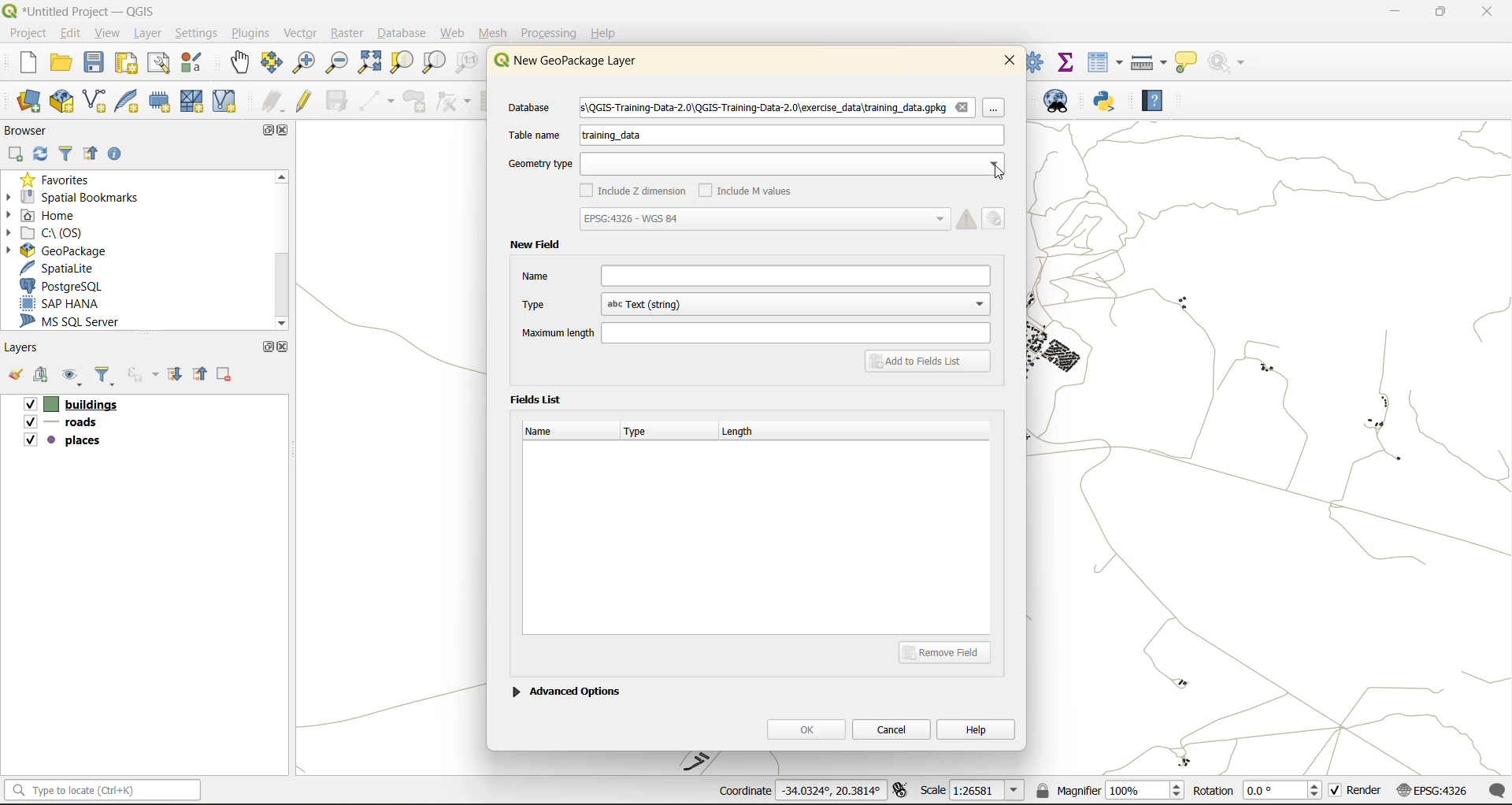  What do you see at coordinates (754, 163) in the screenshot?
I see `geometry type` at bounding box center [754, 163].